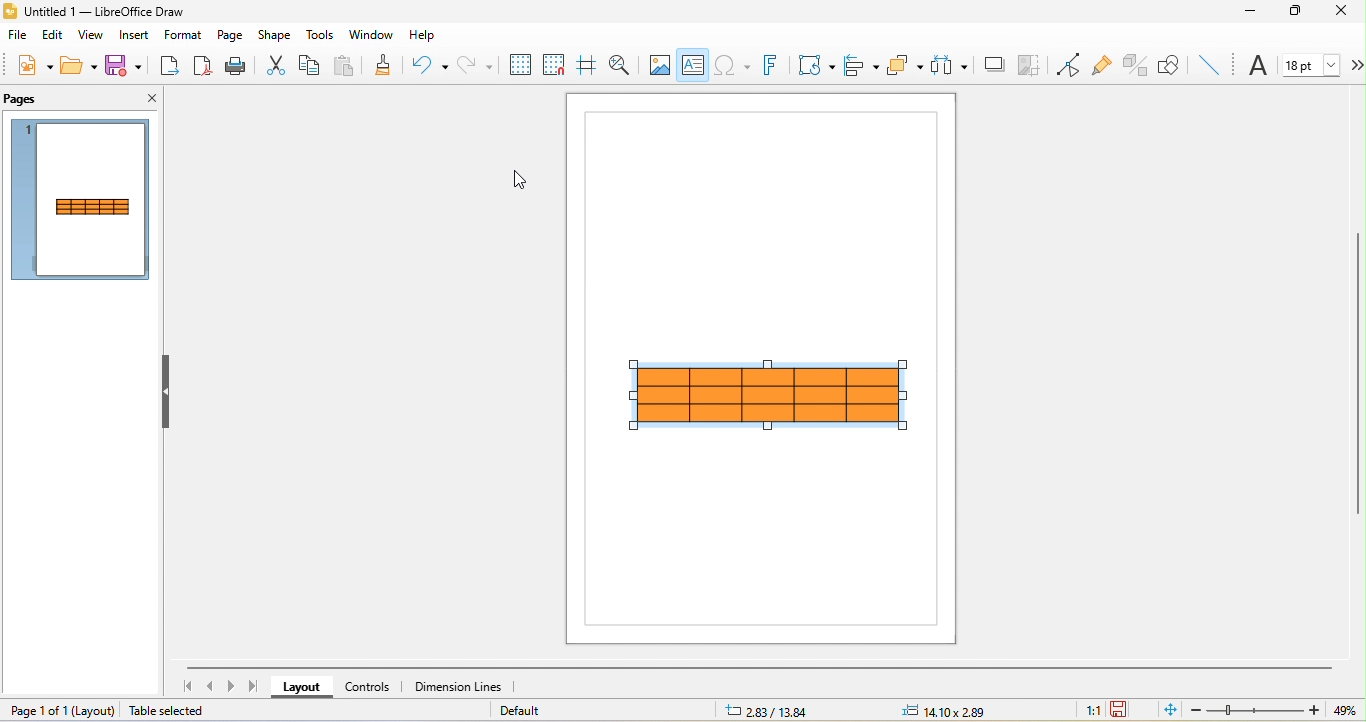 The height and width of the screenshot is (722, 1366). What do you see at coordinates (1134, 64) in the screenshot?
I see `toggle extrusion` at bounding box center [1134, 64].